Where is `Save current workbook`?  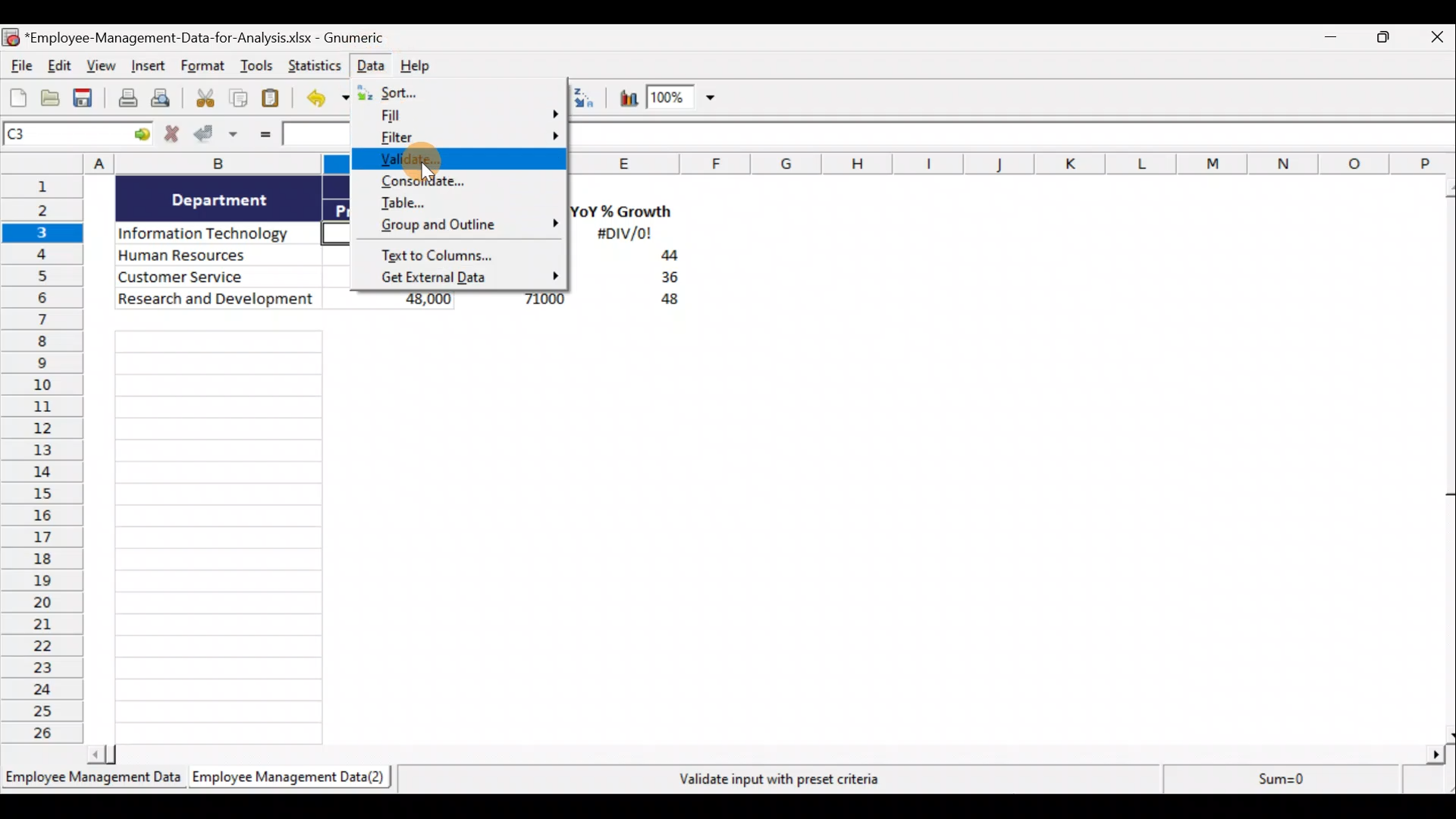
Save current workbook is located at coordinates (84, 99).